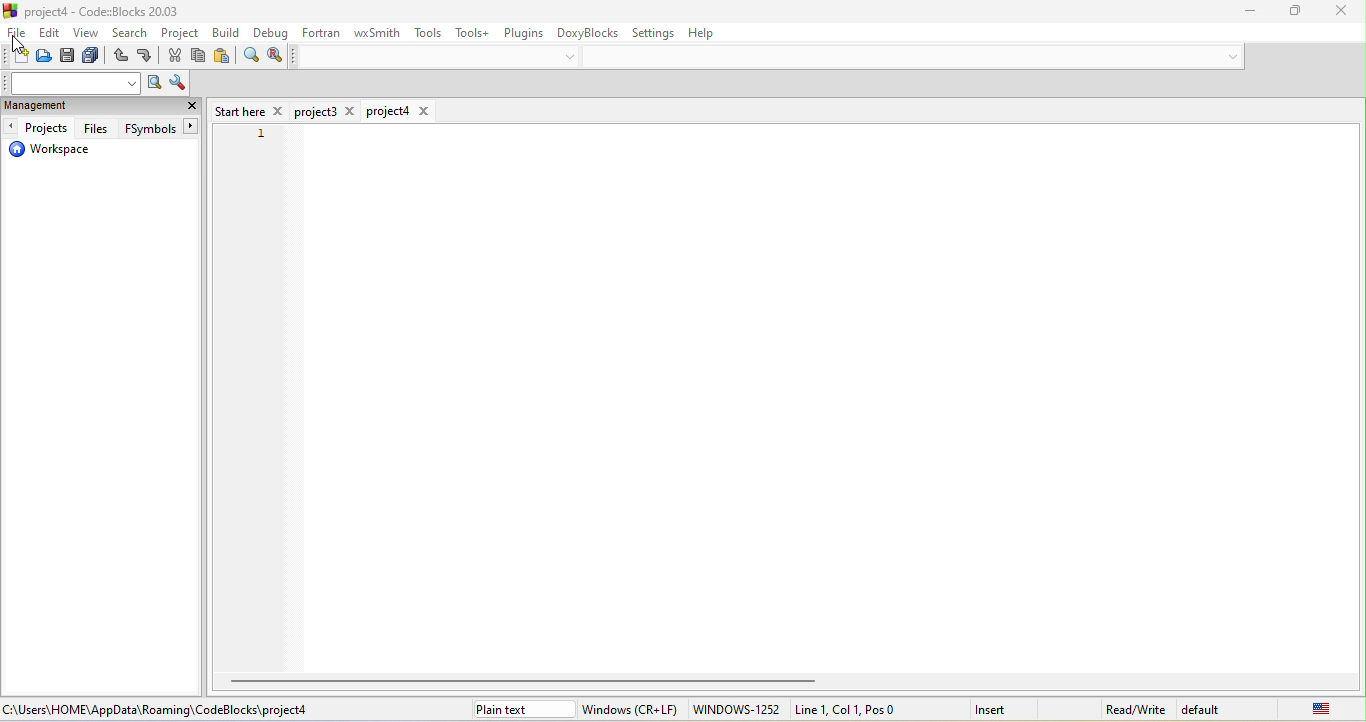 This screenshot has width=1366, height=722. What do you see at coordinates (158, 709) in the screenshot?
I see `C:\Users\HOME\AppData\Roaming\CodeBlocks\project4` at bounding box center [158, 709].